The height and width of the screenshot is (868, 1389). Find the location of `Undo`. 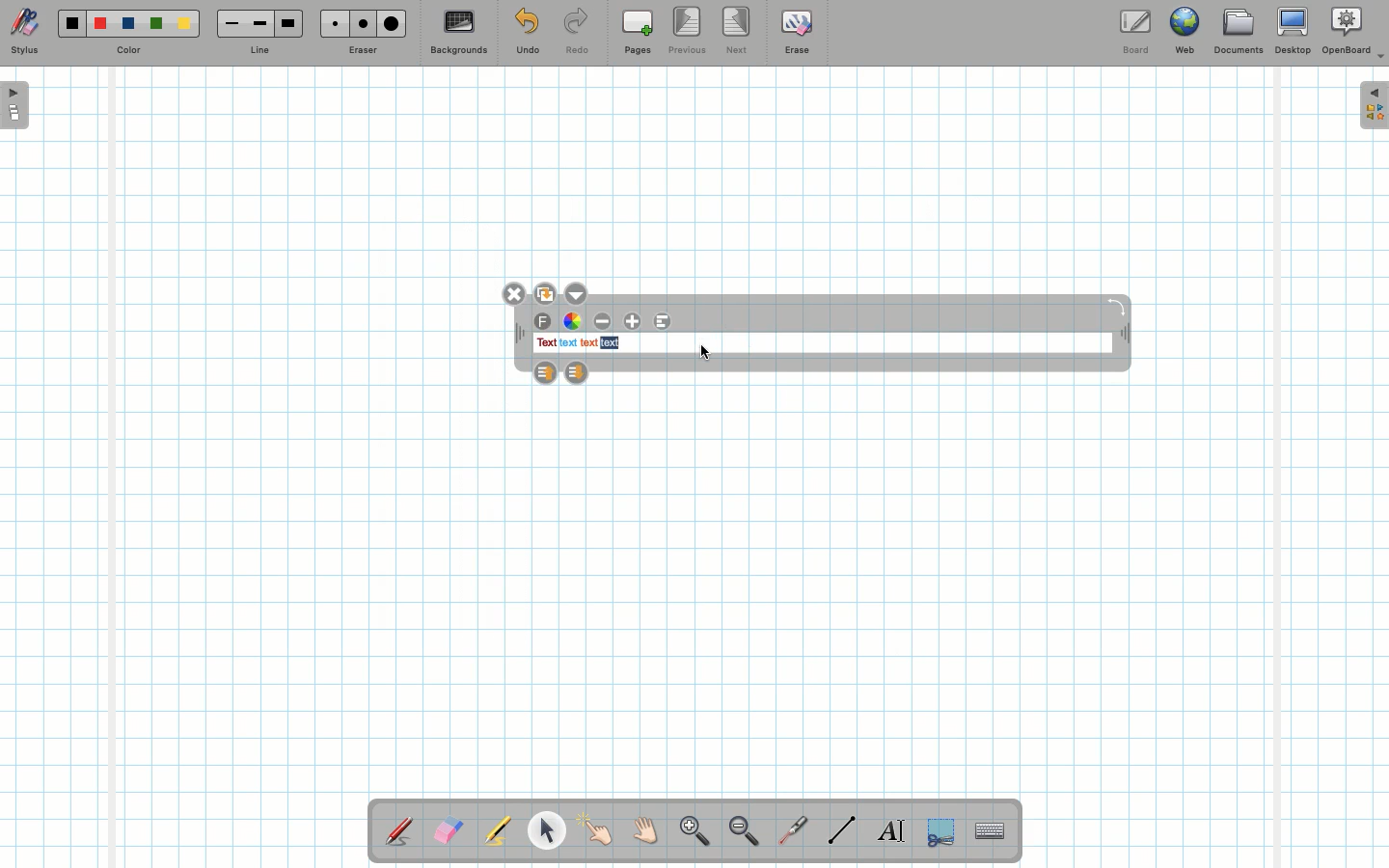

Undo is located at coordinates (527, 35).